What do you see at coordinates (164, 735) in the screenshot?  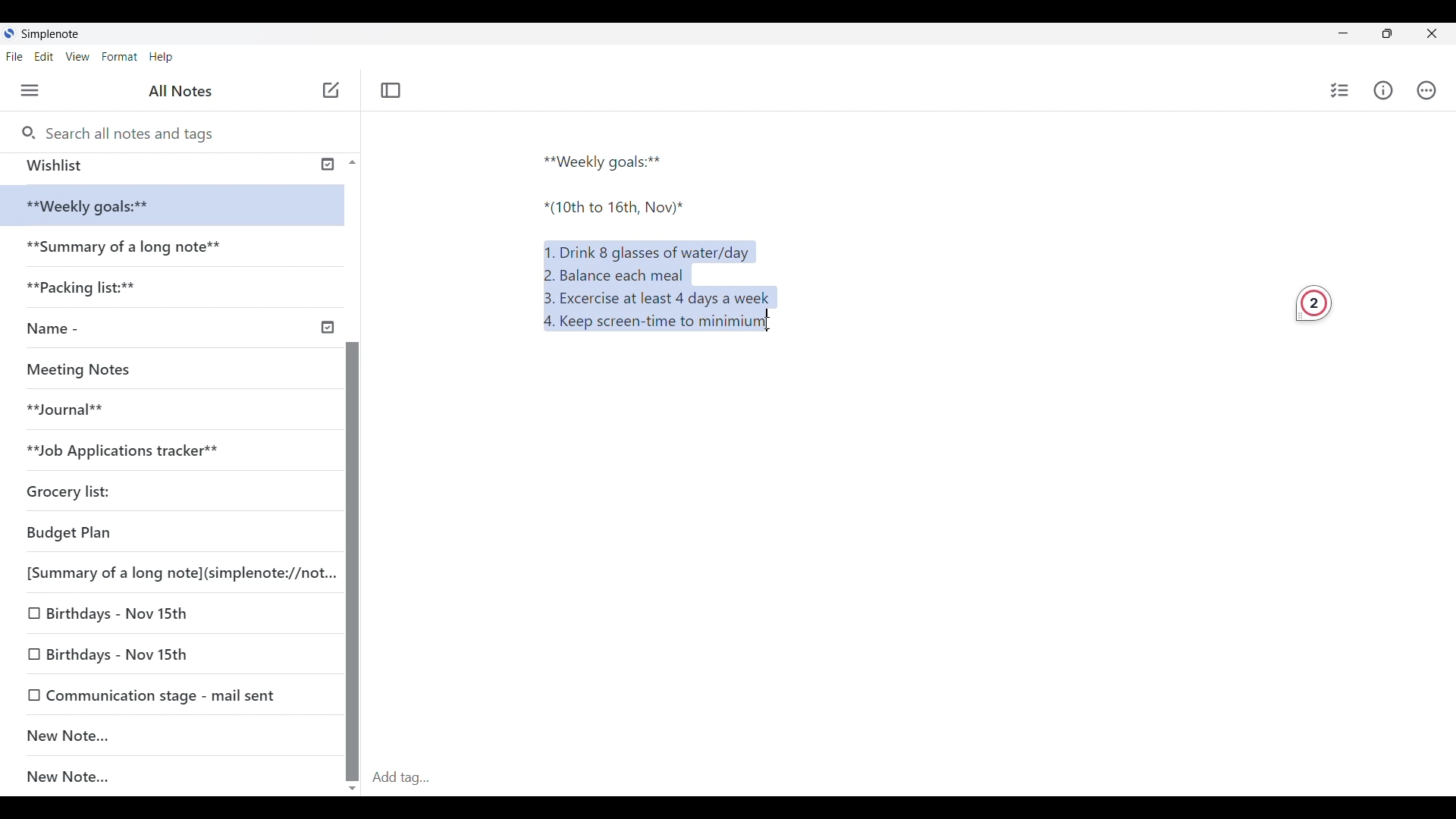 I see `New note` at bounding box center [164, 735].